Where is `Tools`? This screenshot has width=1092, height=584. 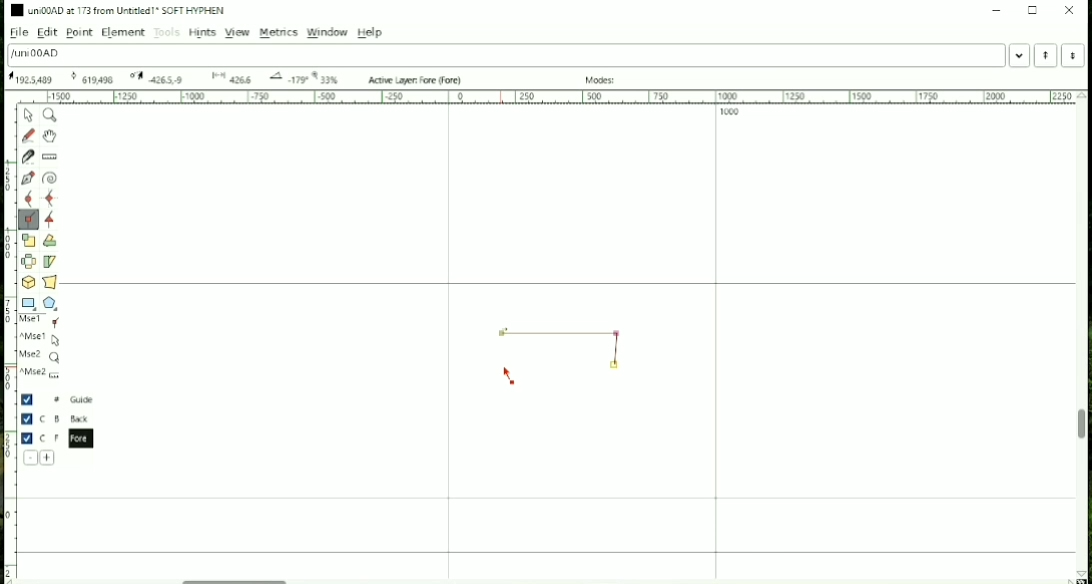 Tools is located at coordinates (167, 33).